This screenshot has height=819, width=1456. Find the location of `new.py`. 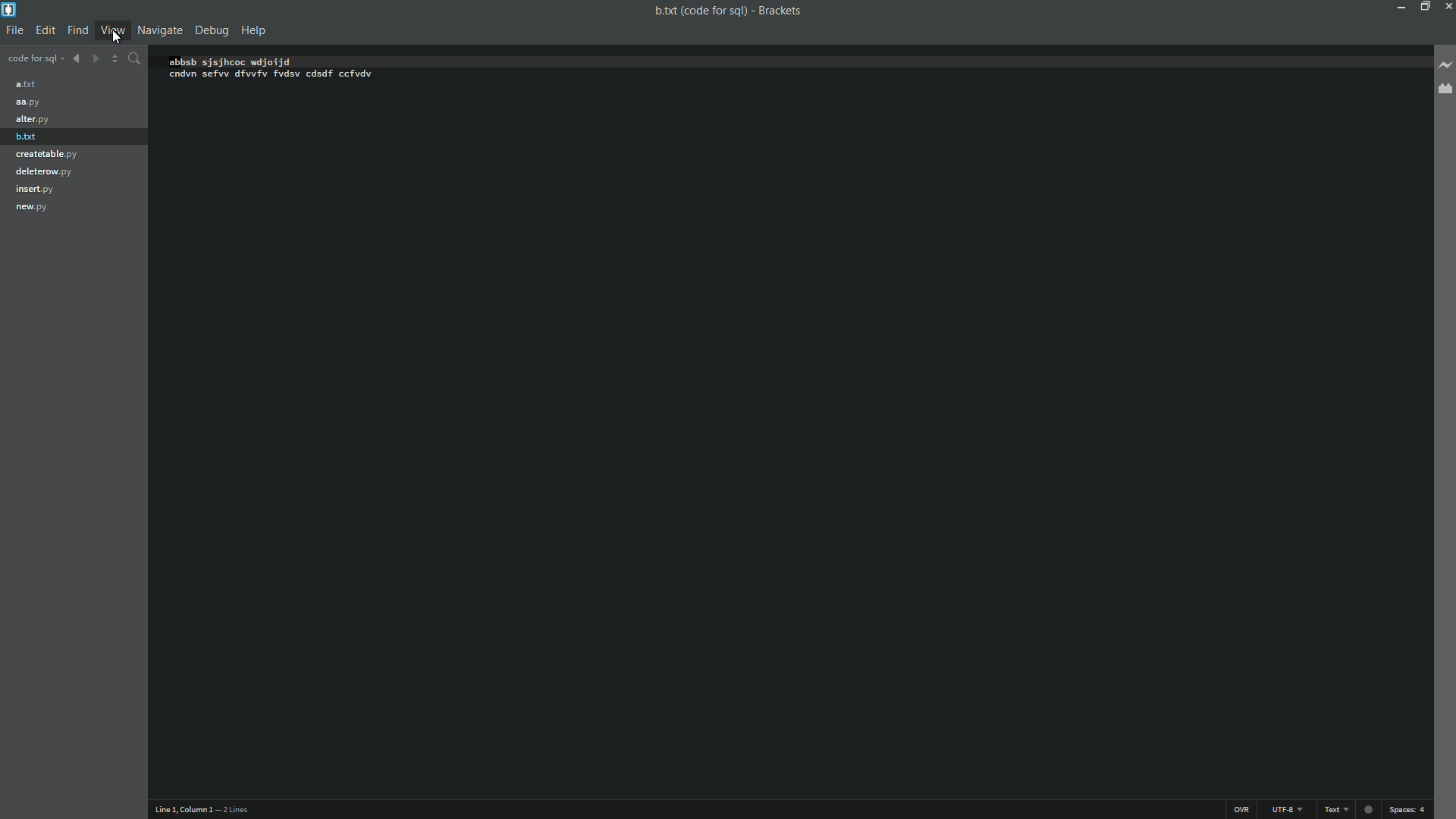

new.py is located at coordinates (31, 206).